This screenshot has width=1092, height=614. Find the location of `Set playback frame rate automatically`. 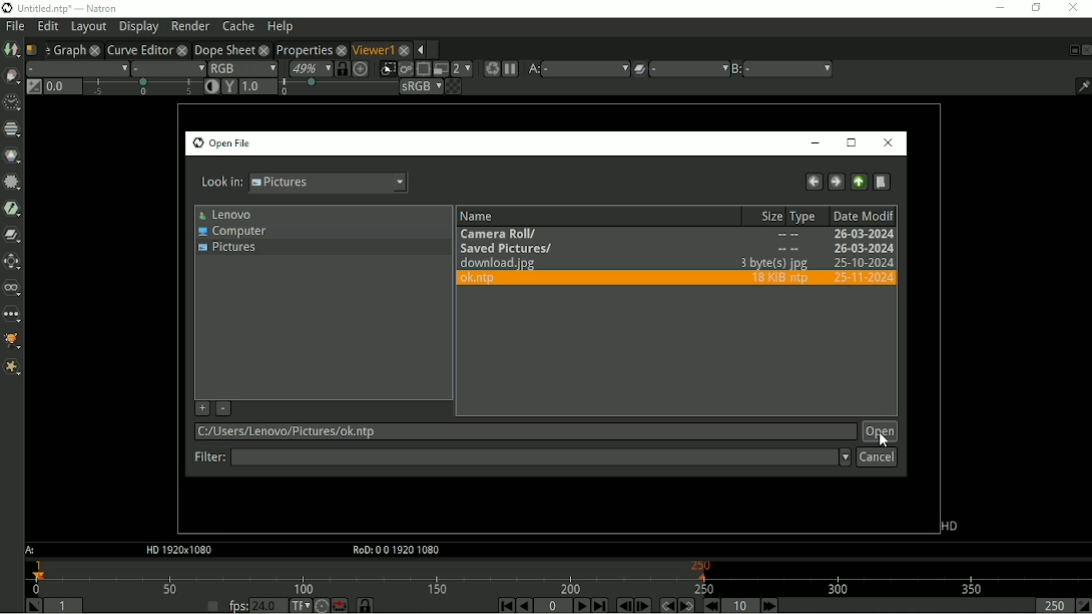

Set playback frame rate automatically is located at coordinates (212, 605).